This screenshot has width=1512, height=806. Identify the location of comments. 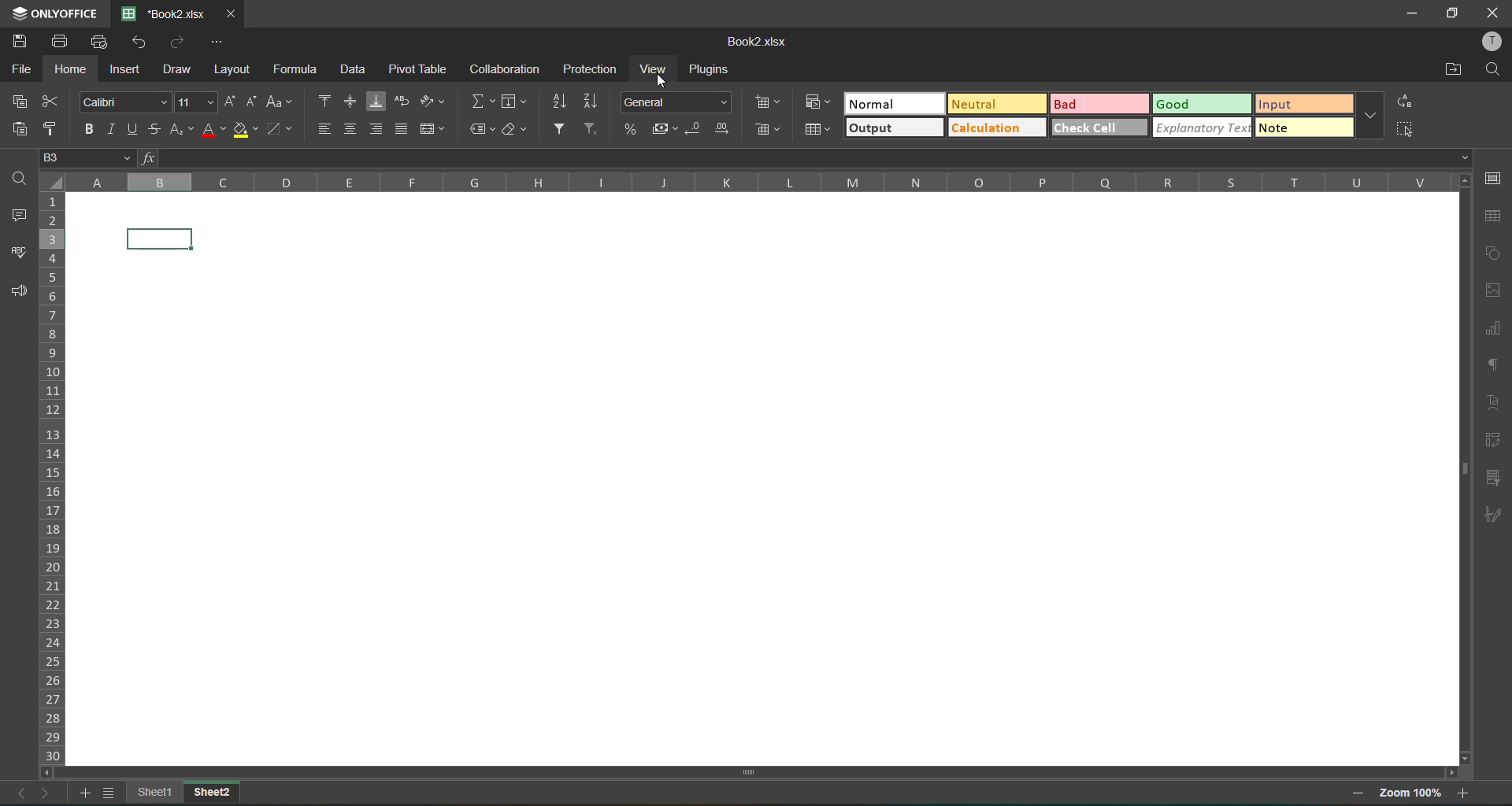
(22, 215).